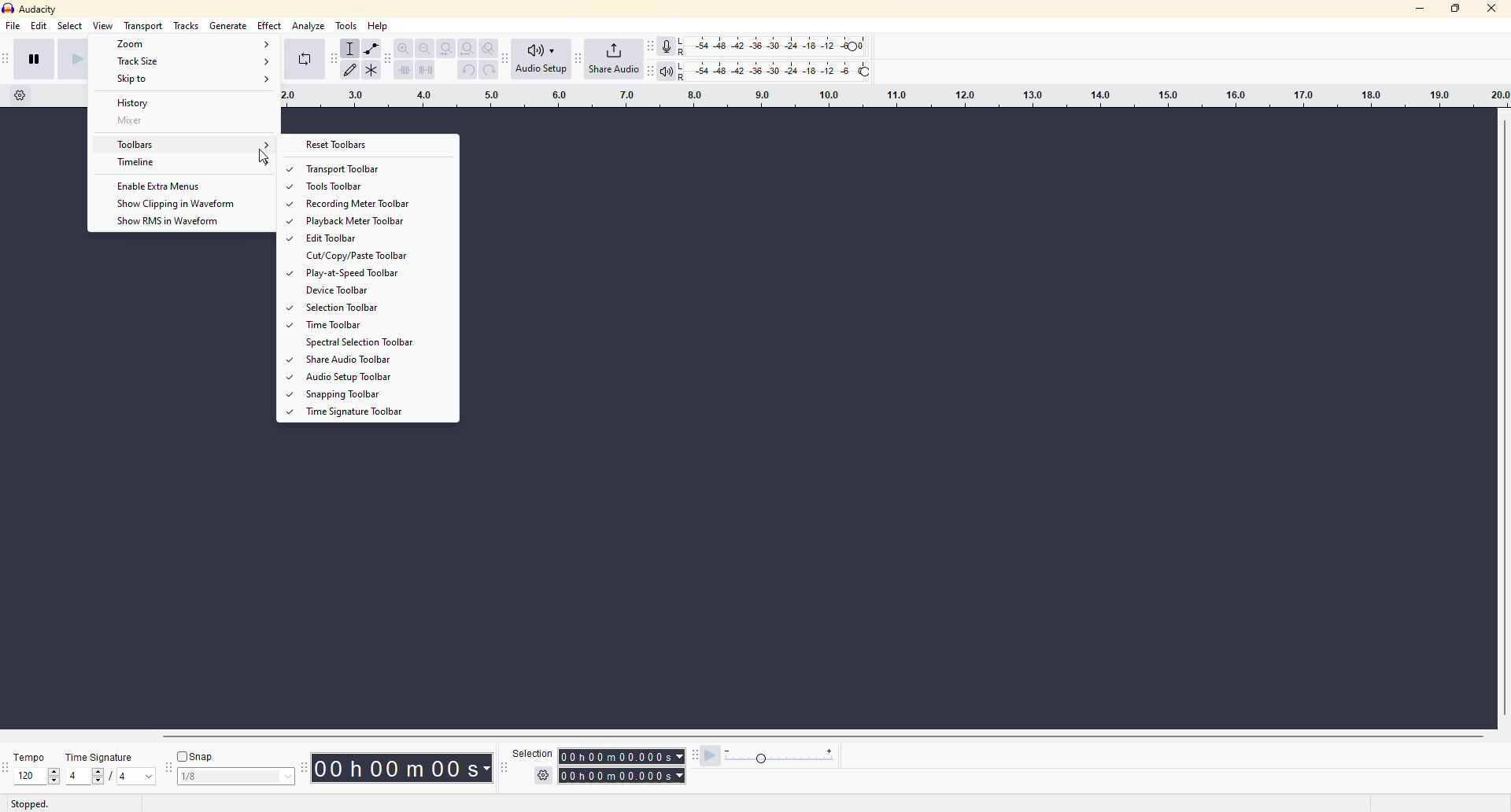 The image size is (1511, 812). I want to click on selection, so click(532, 753).